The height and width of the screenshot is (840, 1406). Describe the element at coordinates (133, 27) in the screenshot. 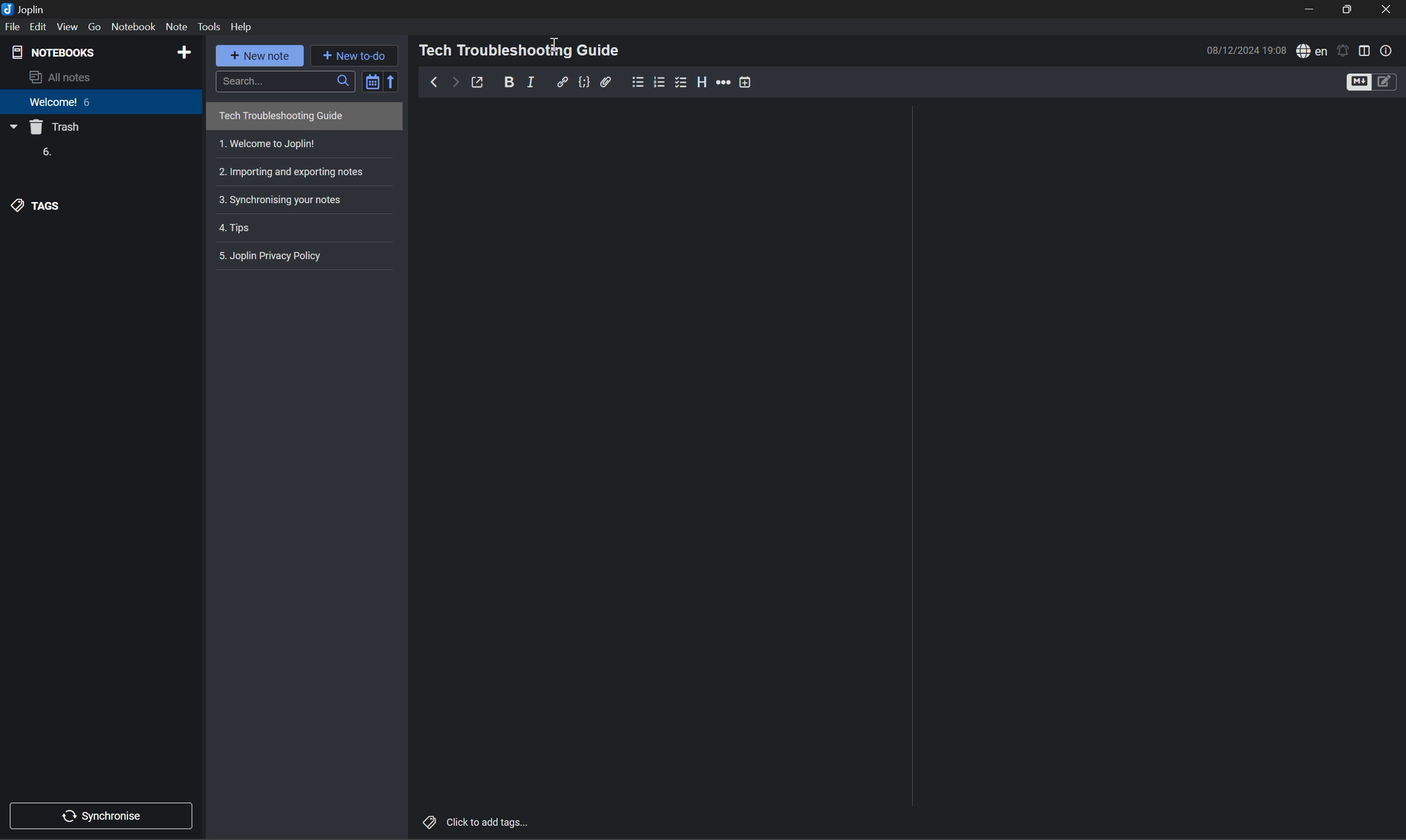

I see `Notebook` at that location.